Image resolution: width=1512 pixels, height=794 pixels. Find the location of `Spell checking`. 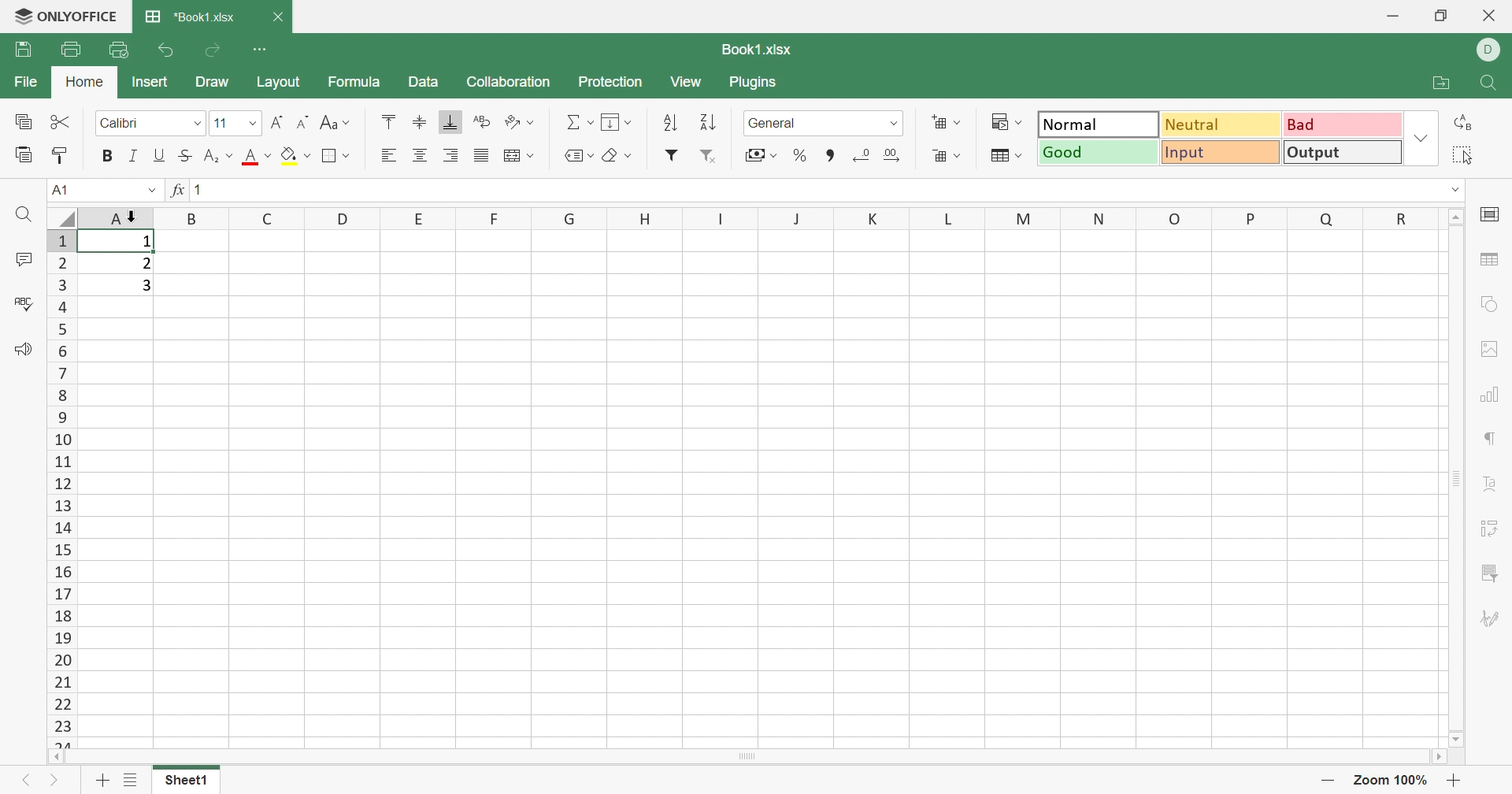

Spell checking is located at coordinates (26, 305).